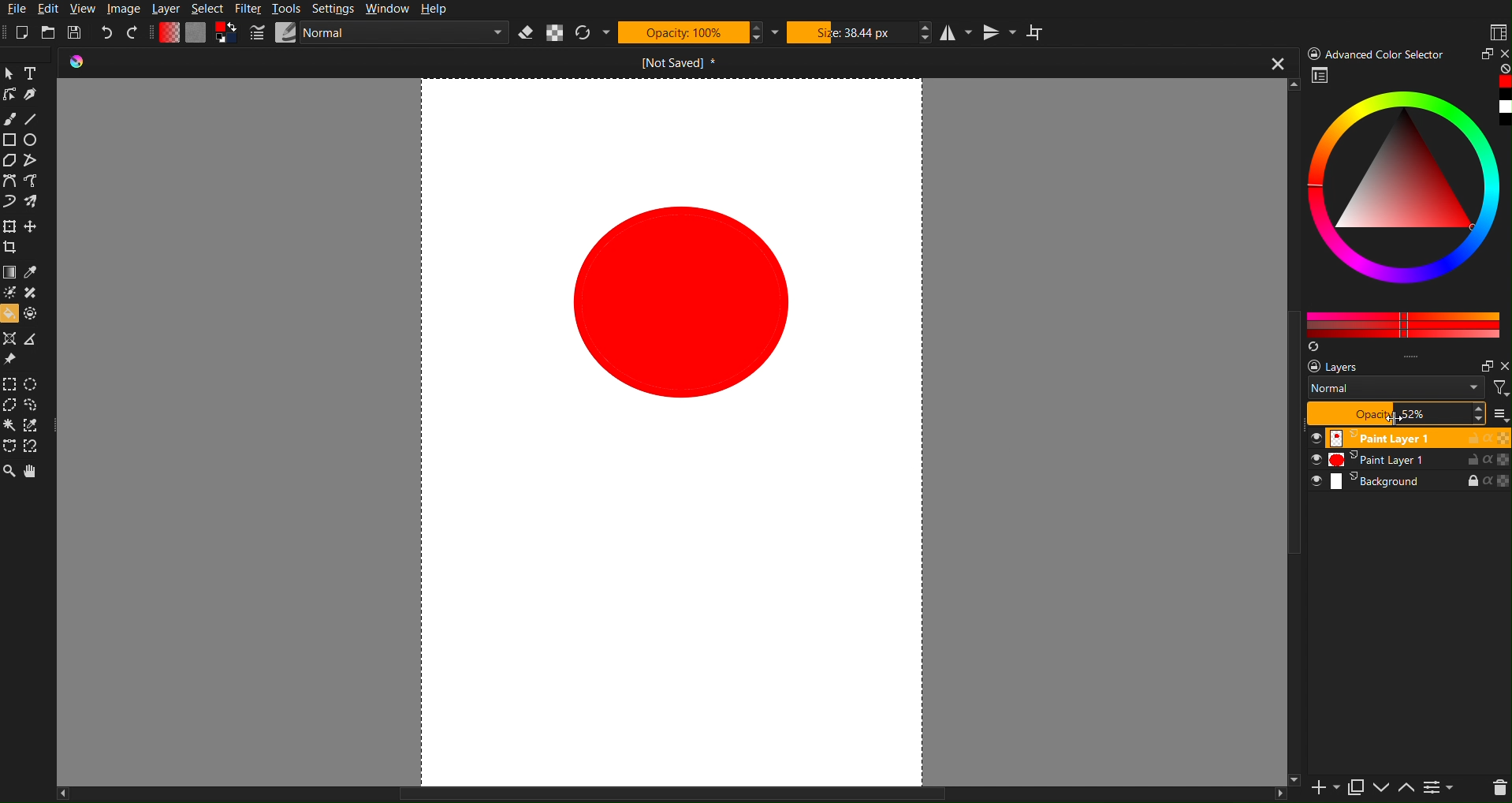  Describe the element at coordinates (33, 385) in the screenshot. I see `Elliptical` at that location.